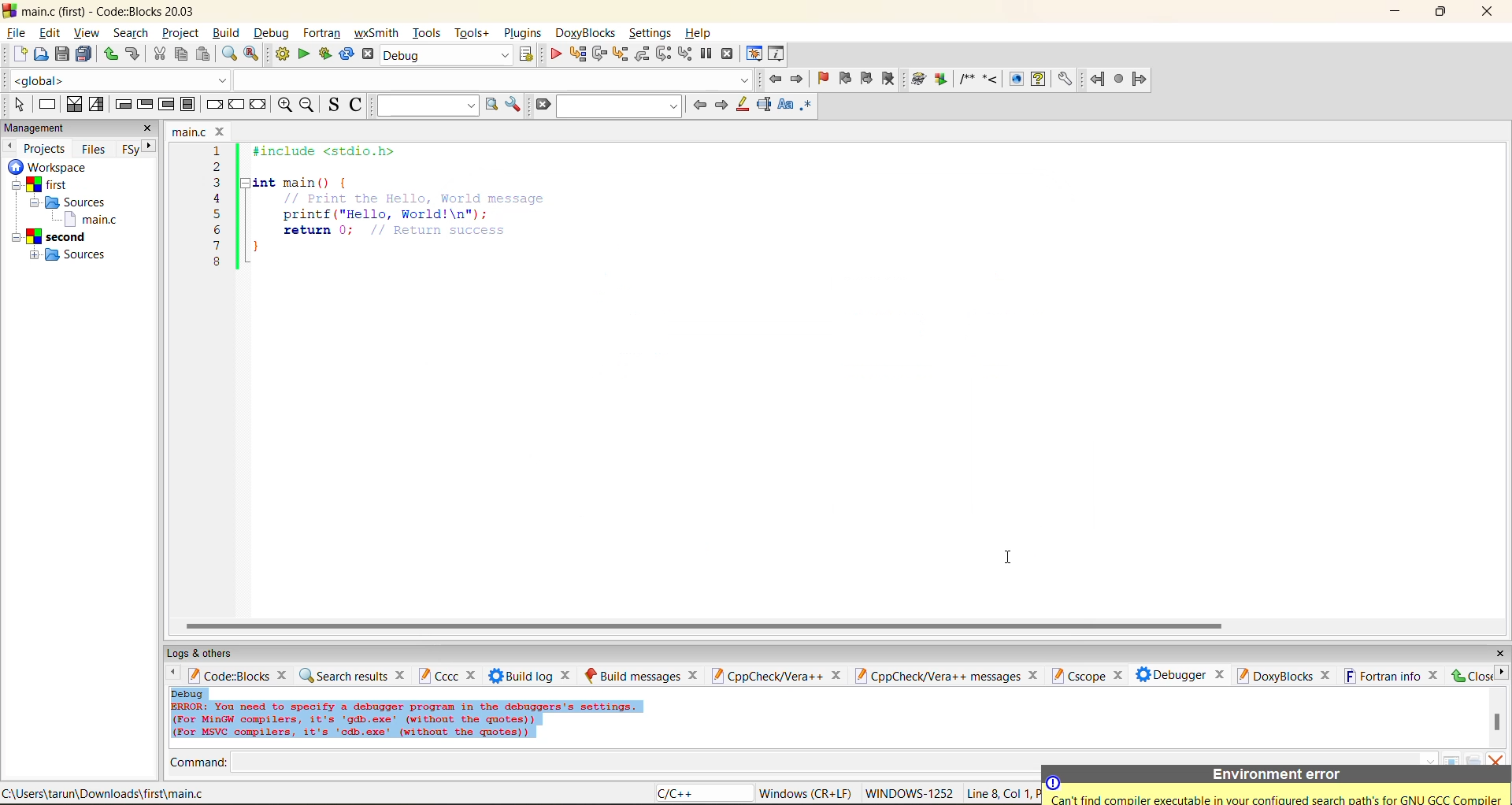  I want to click on help, so click(1038, 79).